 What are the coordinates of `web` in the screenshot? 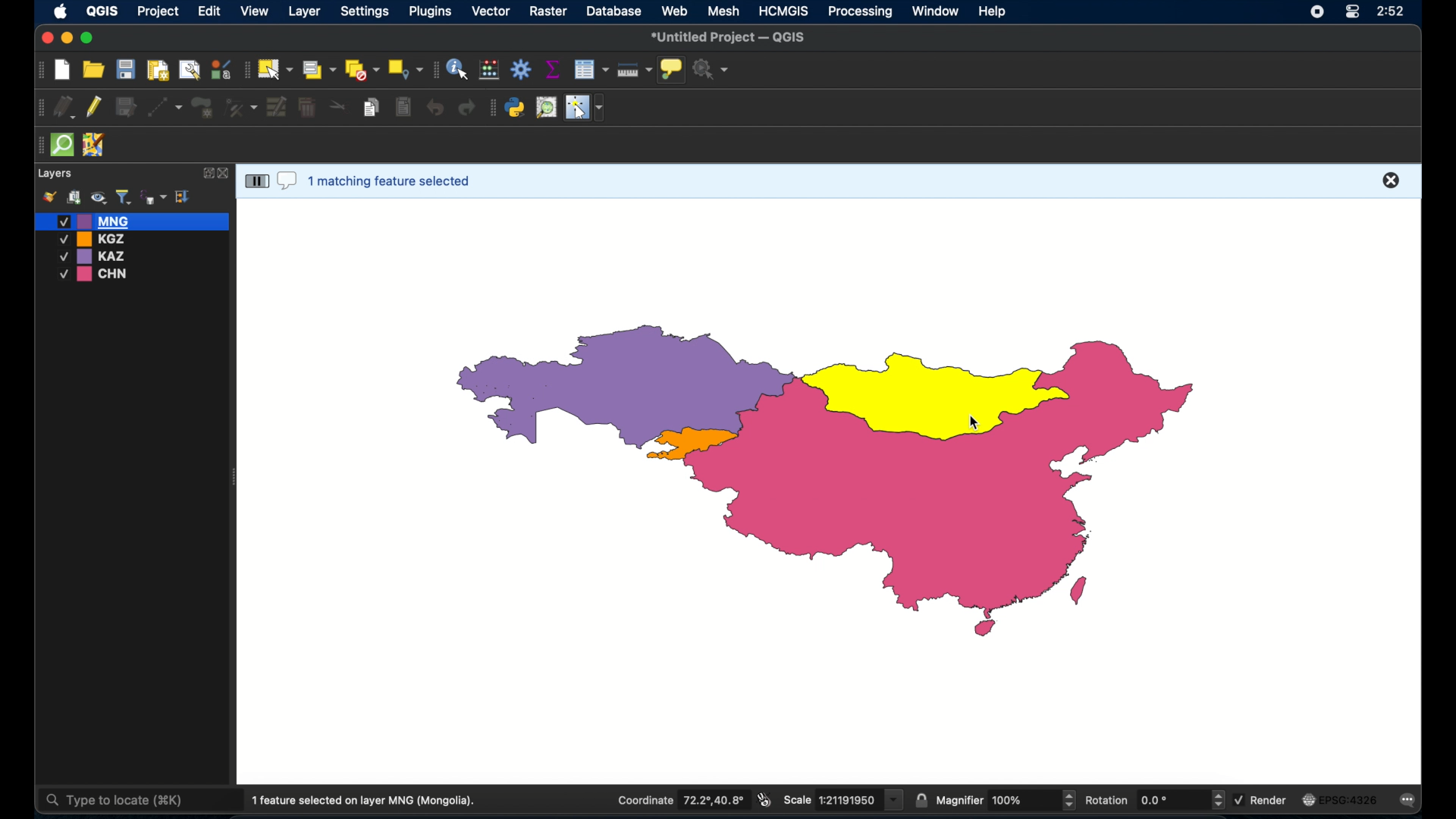 It's located at (675, 11).